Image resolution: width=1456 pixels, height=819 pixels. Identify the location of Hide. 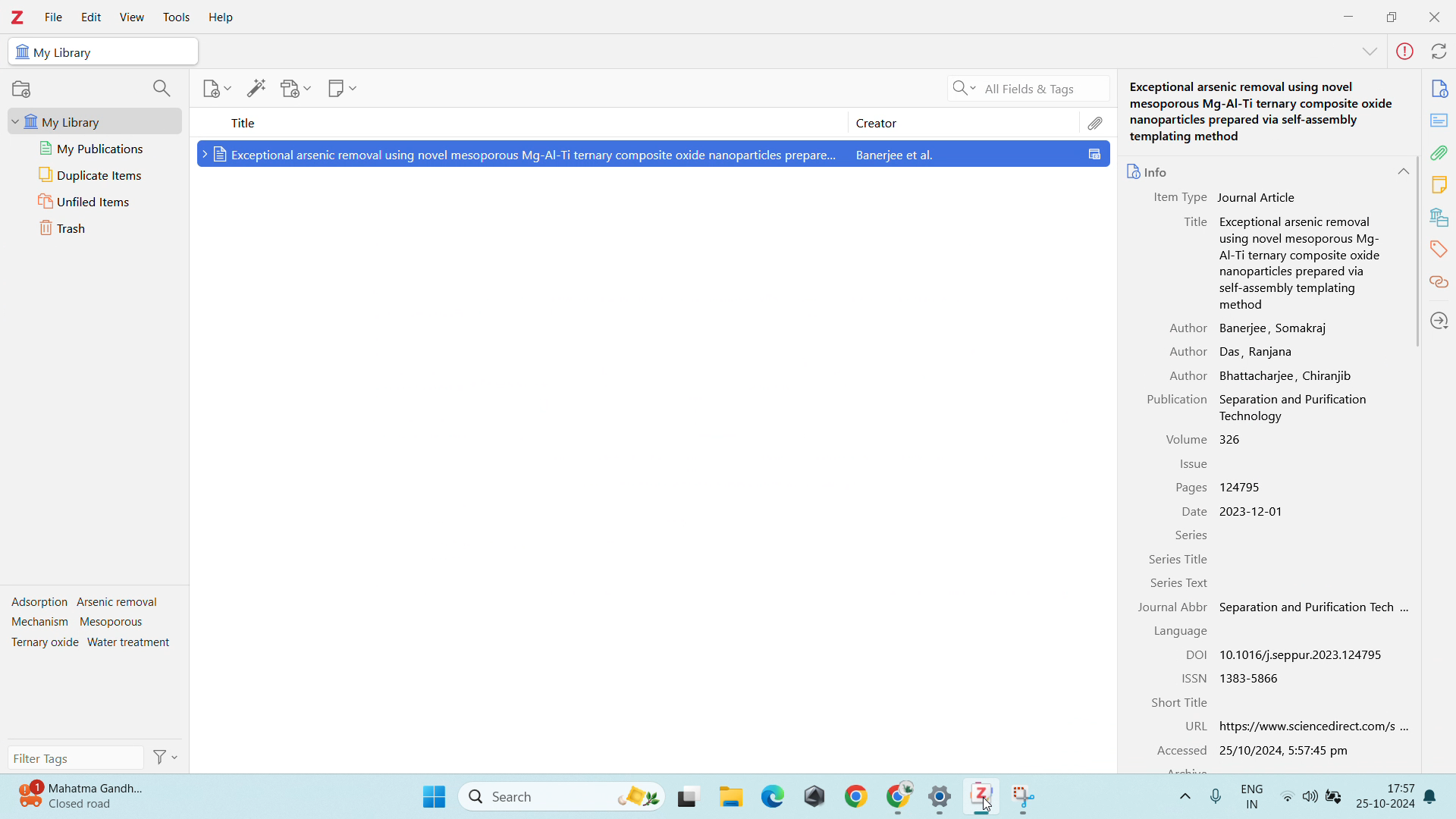
(1366, 53).